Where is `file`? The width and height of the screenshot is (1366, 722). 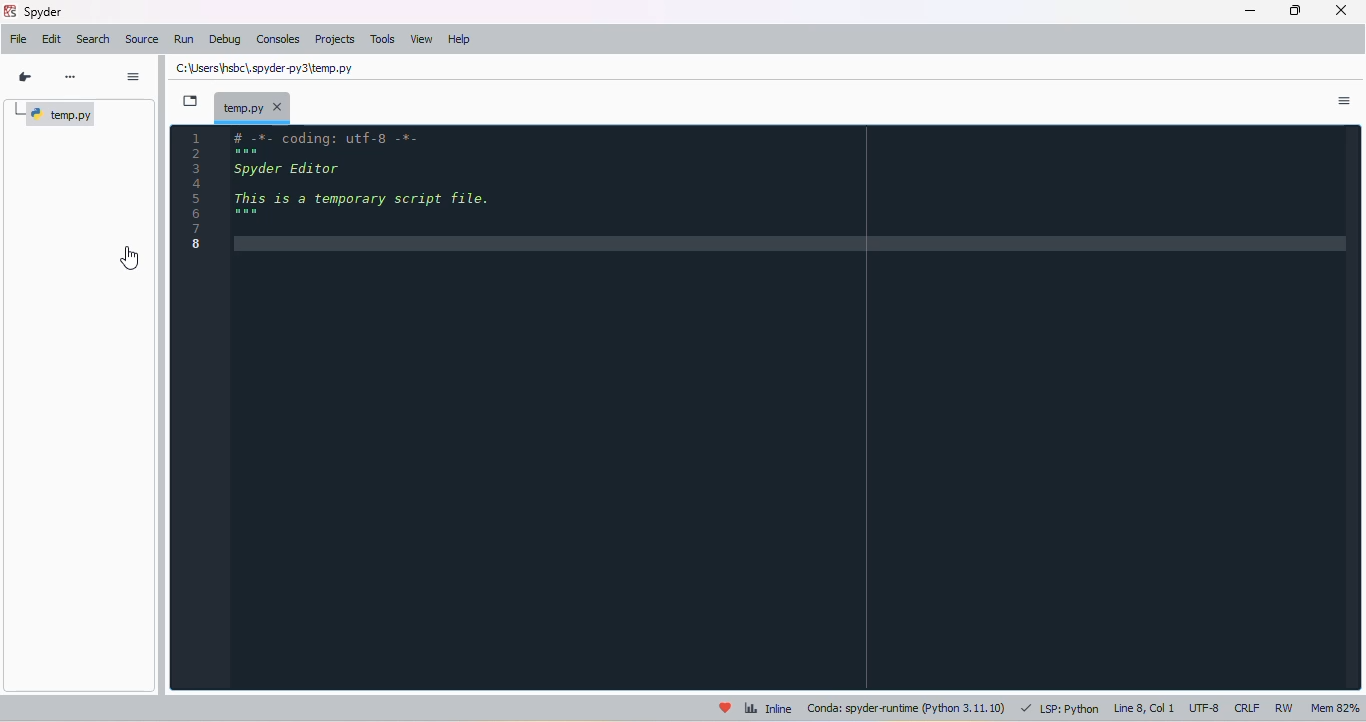
file is located at coordinates (20, 38).